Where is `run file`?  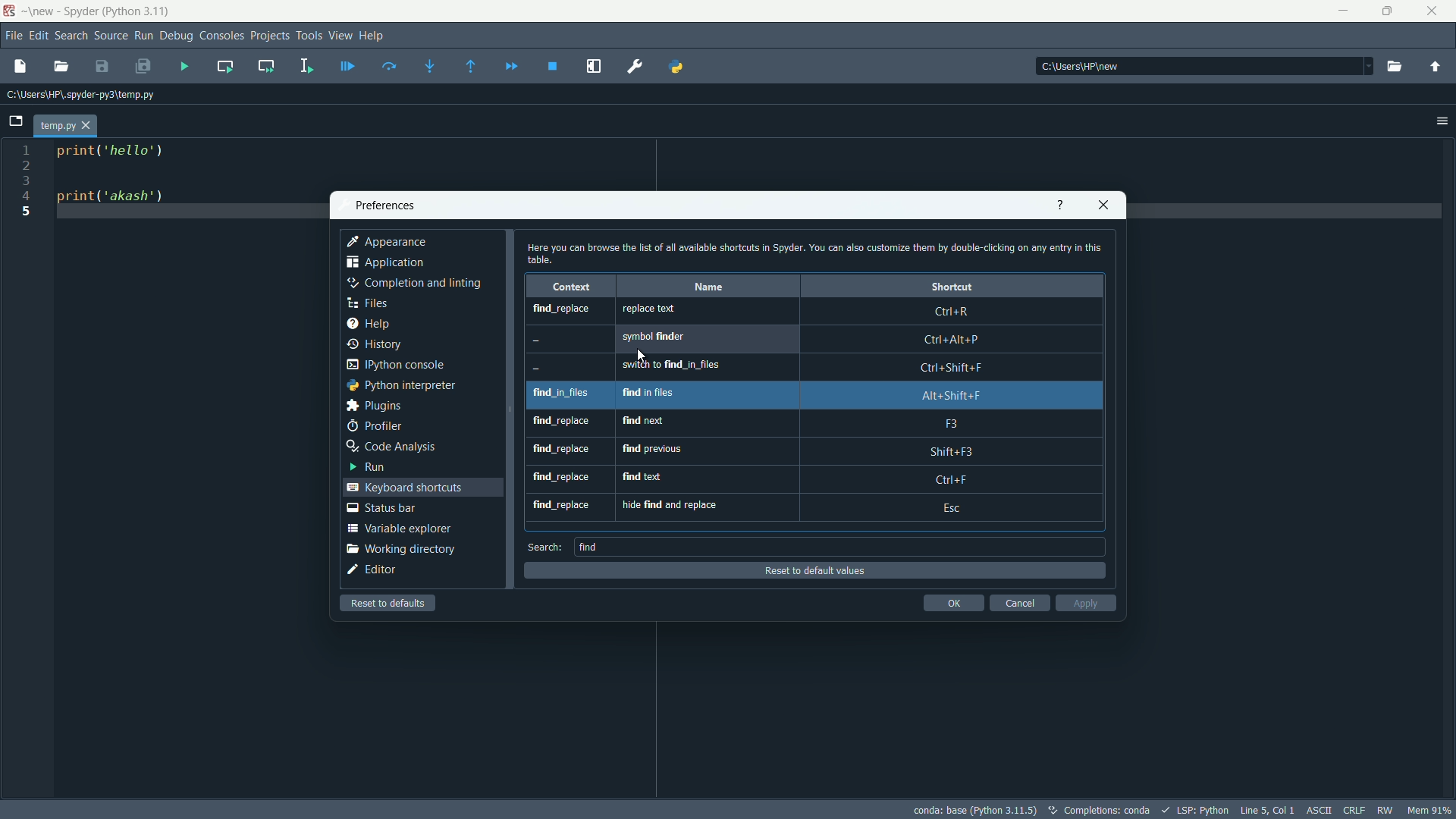 run file is located at coordinates (186, 65).